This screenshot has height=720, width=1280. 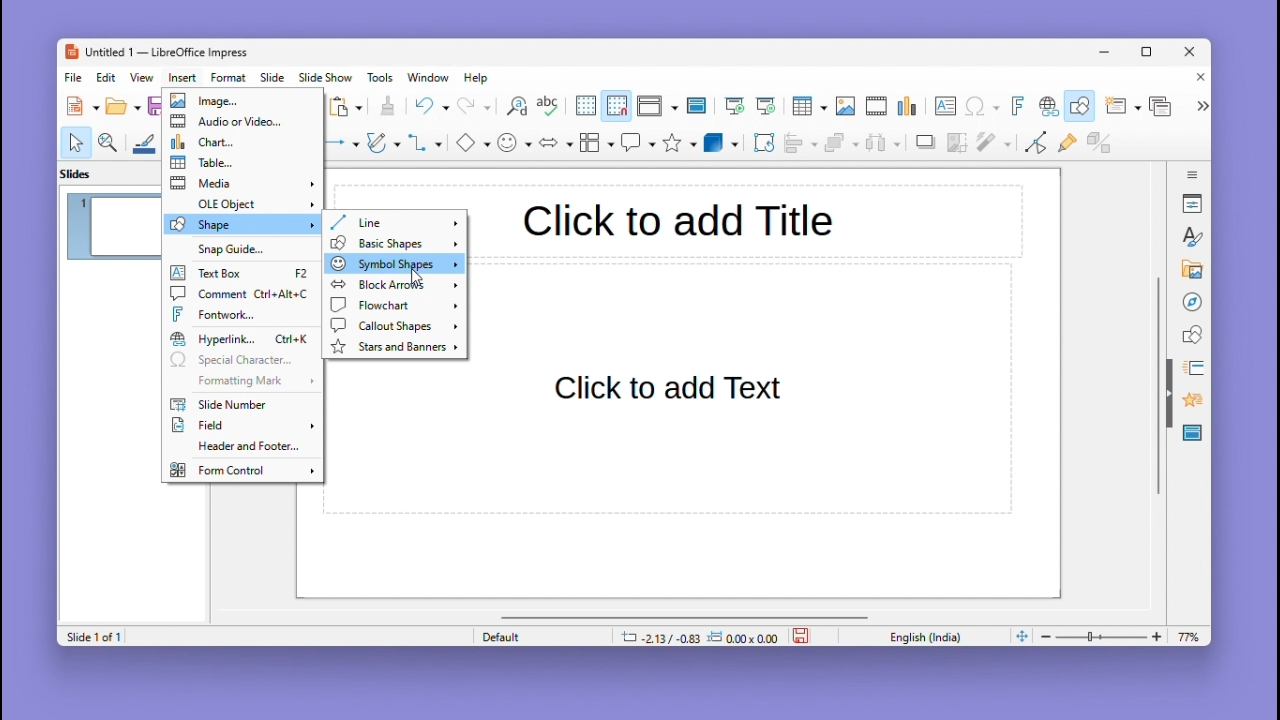 What do you see at coordinates (392, 325) in the screenshot?
I see `Call out shapes` at bounding box center [392, 325].